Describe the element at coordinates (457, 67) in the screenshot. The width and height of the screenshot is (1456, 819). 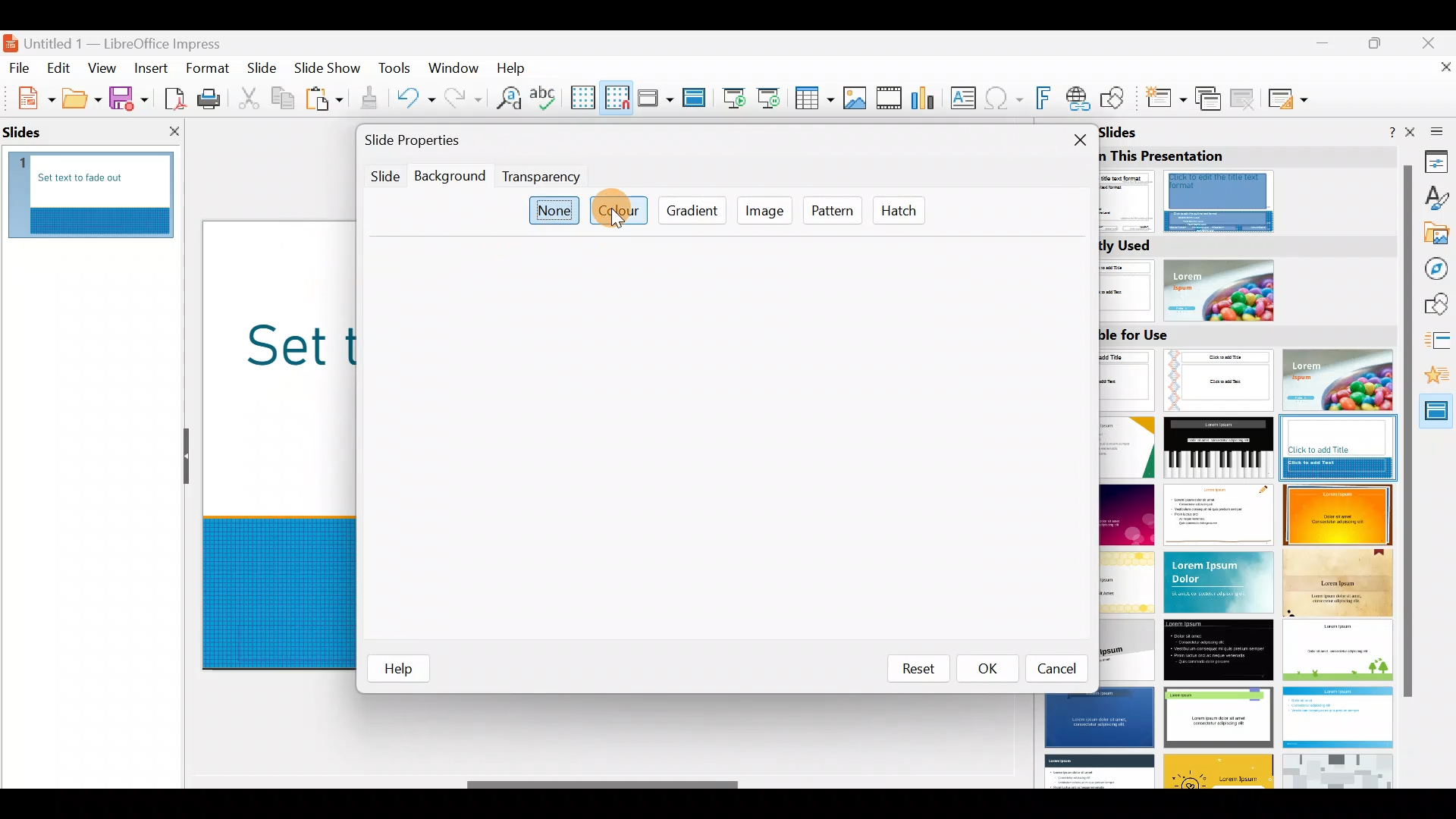
I see `Window` at that location.